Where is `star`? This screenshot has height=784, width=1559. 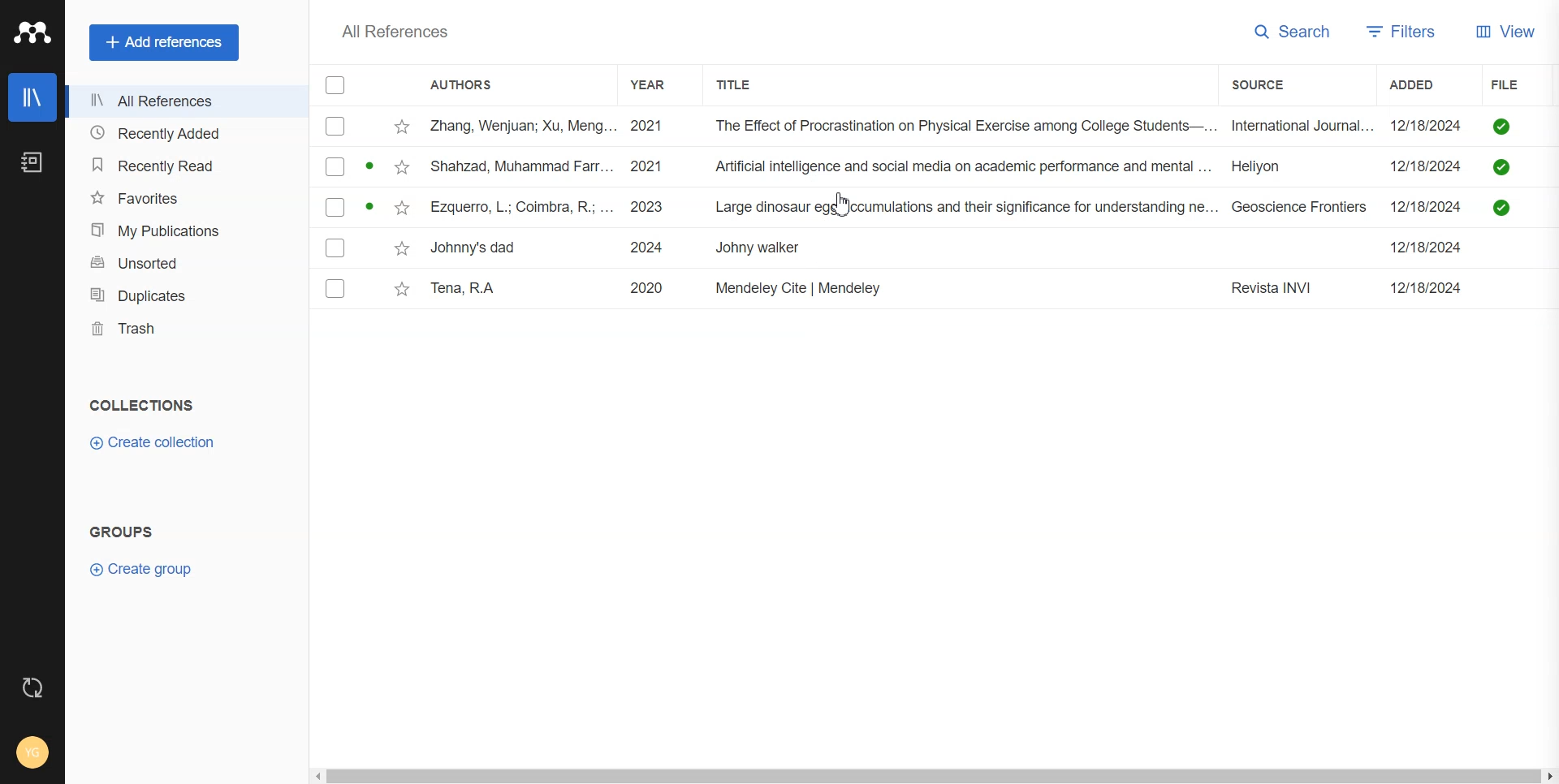
star is located at coordinates (402, 246).